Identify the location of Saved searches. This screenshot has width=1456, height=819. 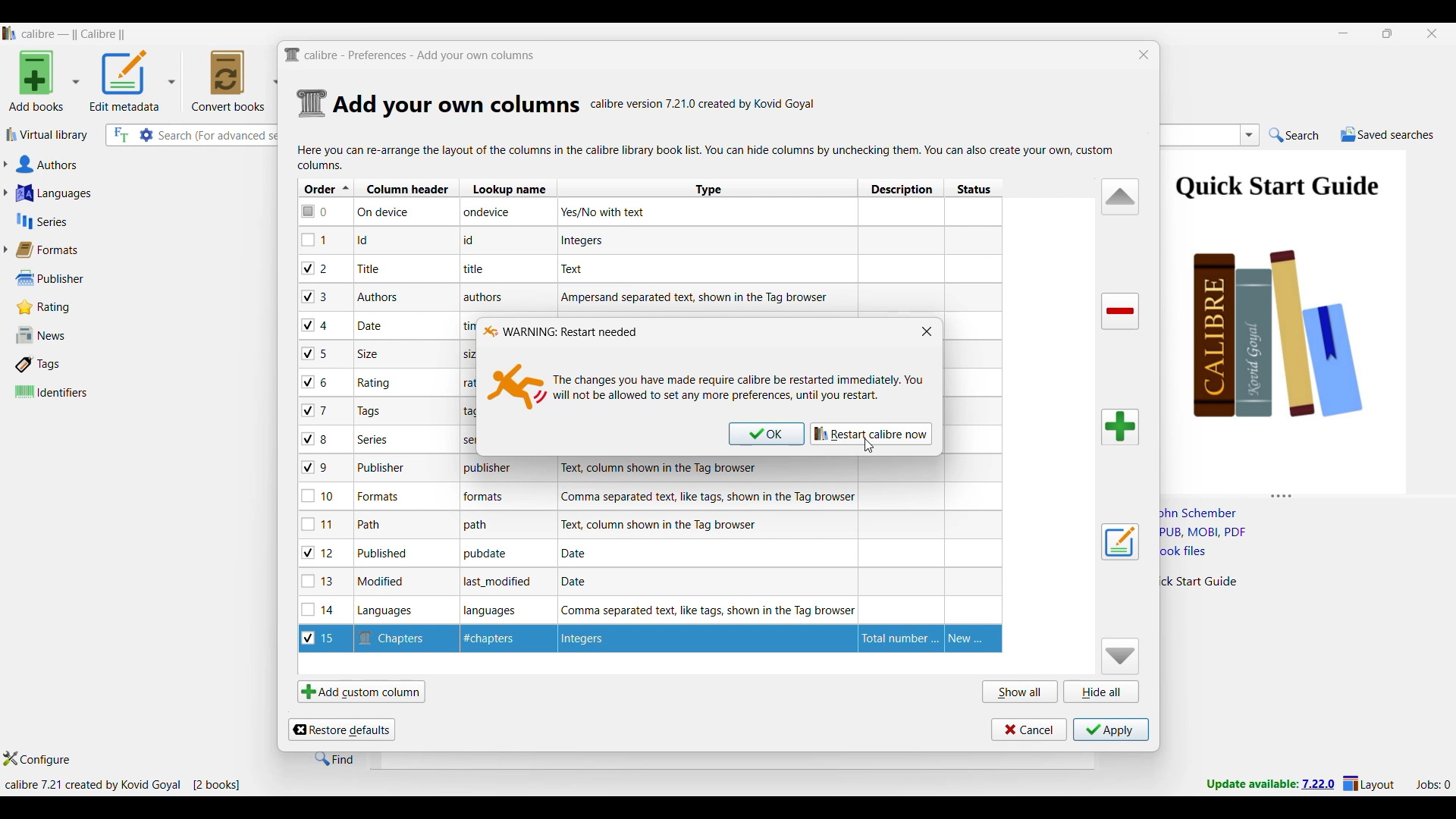
(1387, 134).